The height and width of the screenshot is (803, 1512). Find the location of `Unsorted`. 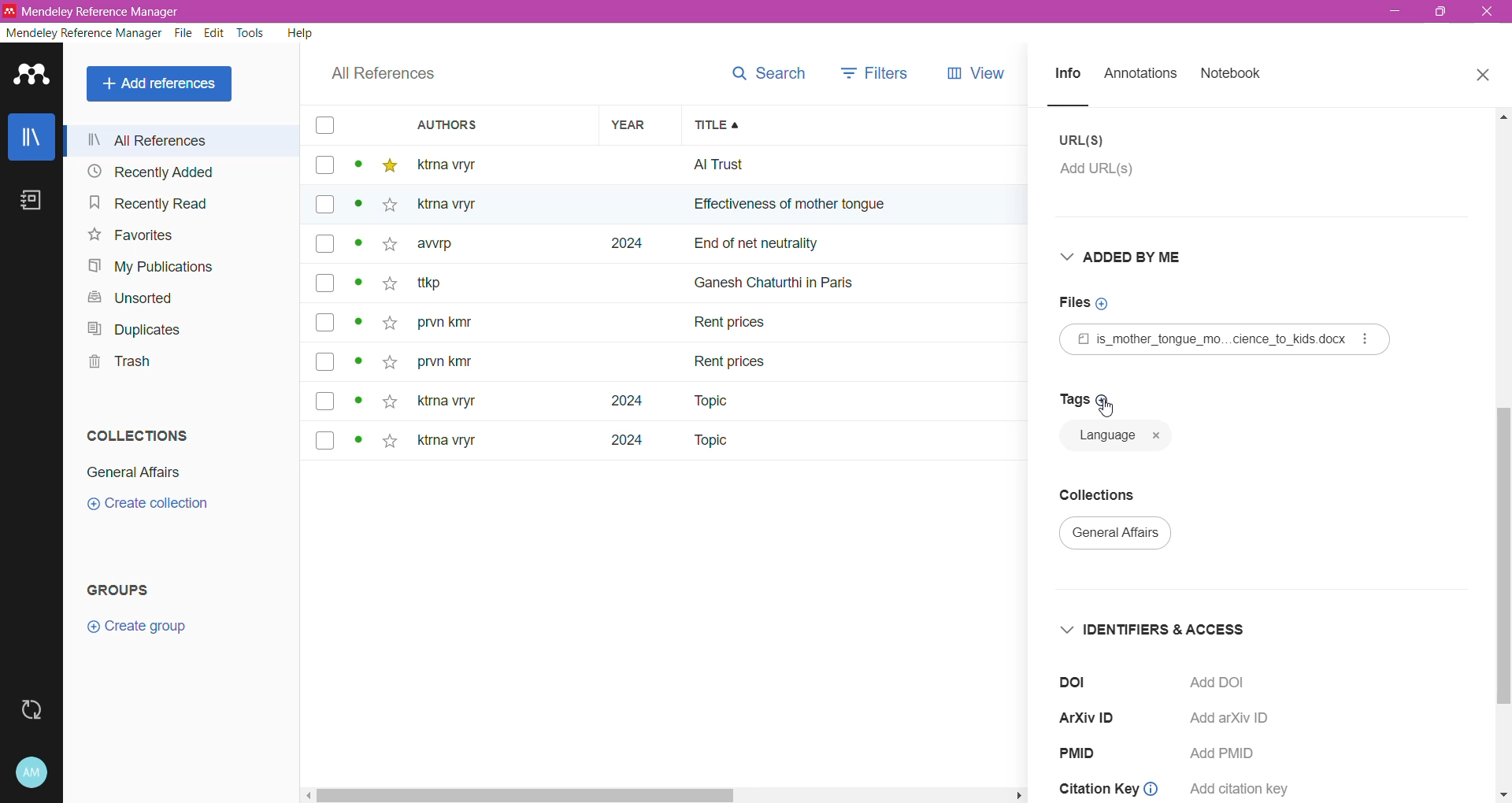

Unsorted is located at coordinates (136, 299).